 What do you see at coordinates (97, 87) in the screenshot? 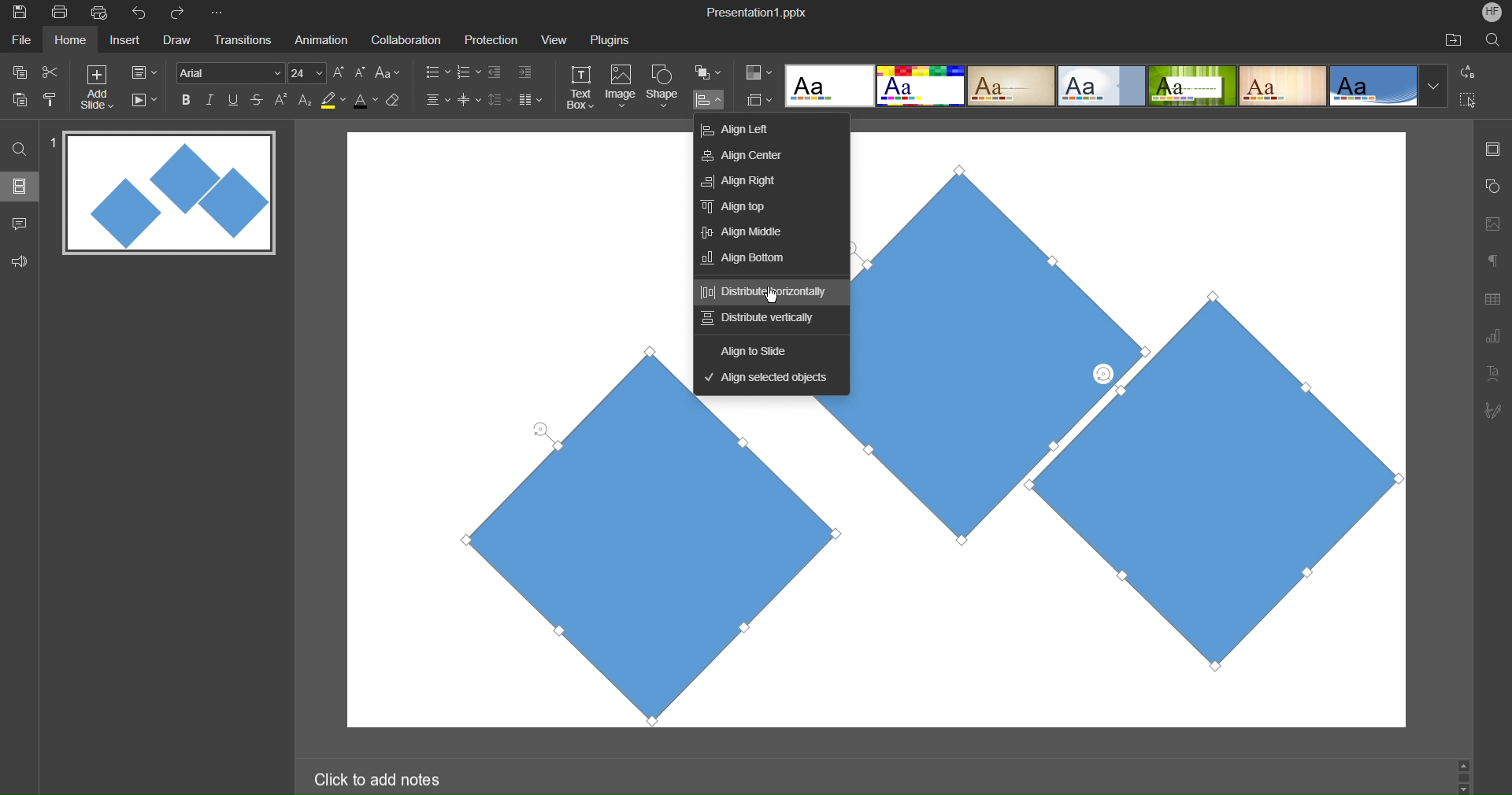
I see `Add Slide` at bounding box center [97, 87].